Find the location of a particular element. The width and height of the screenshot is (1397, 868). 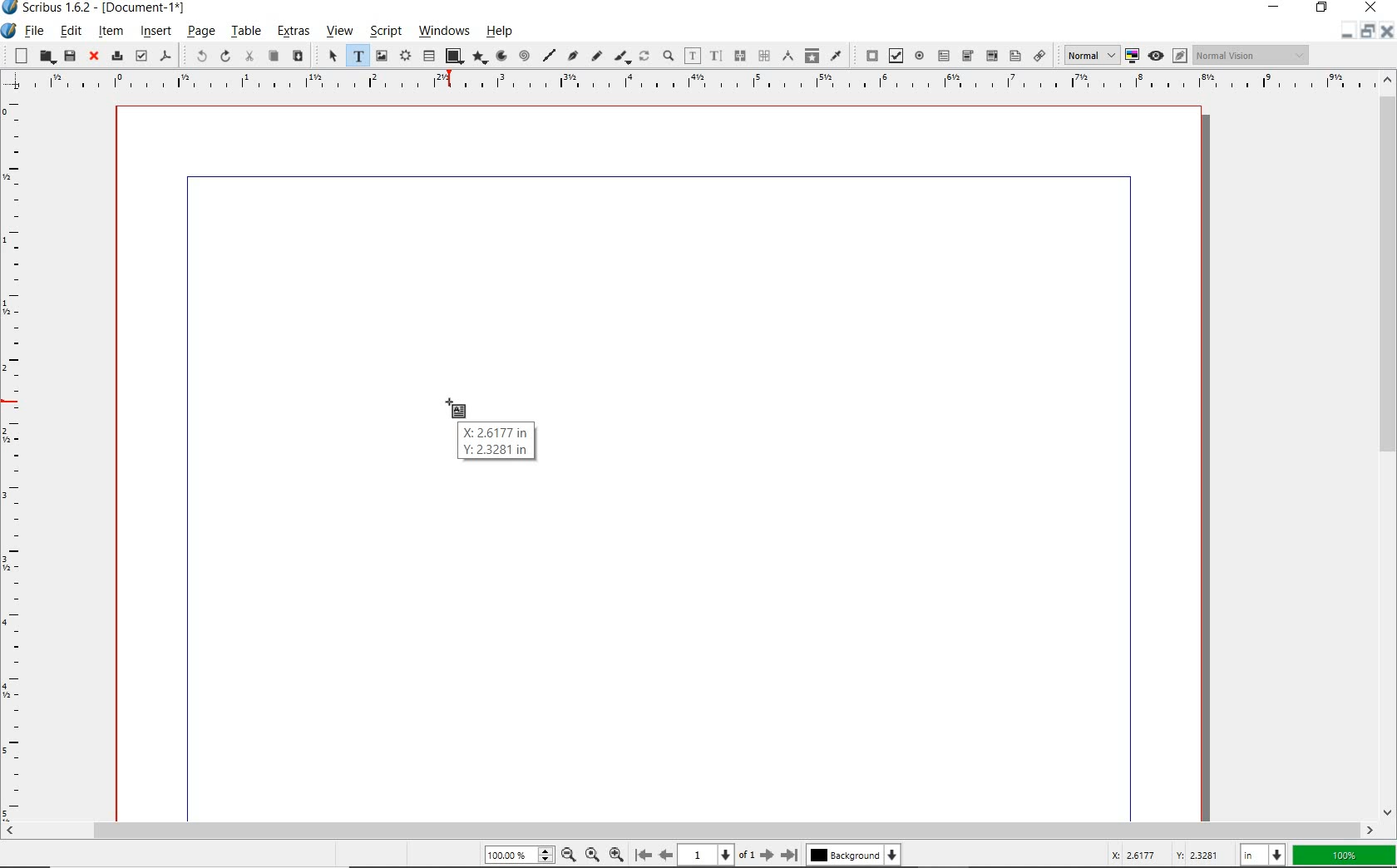

edit text with story editor is located at coordinates (715, 57).